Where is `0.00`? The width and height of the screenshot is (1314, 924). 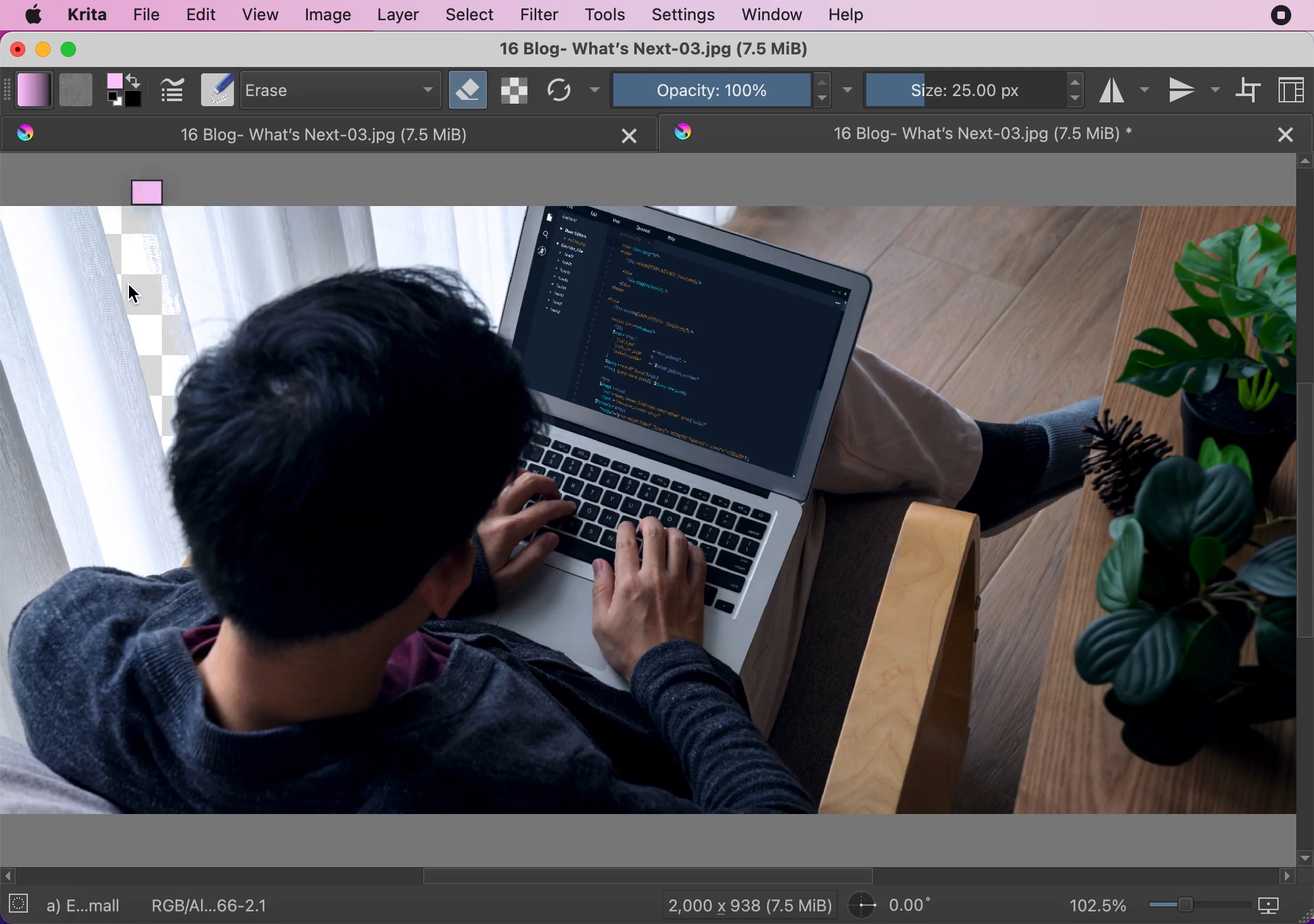
0.00 is located at coordinates (902, 905).